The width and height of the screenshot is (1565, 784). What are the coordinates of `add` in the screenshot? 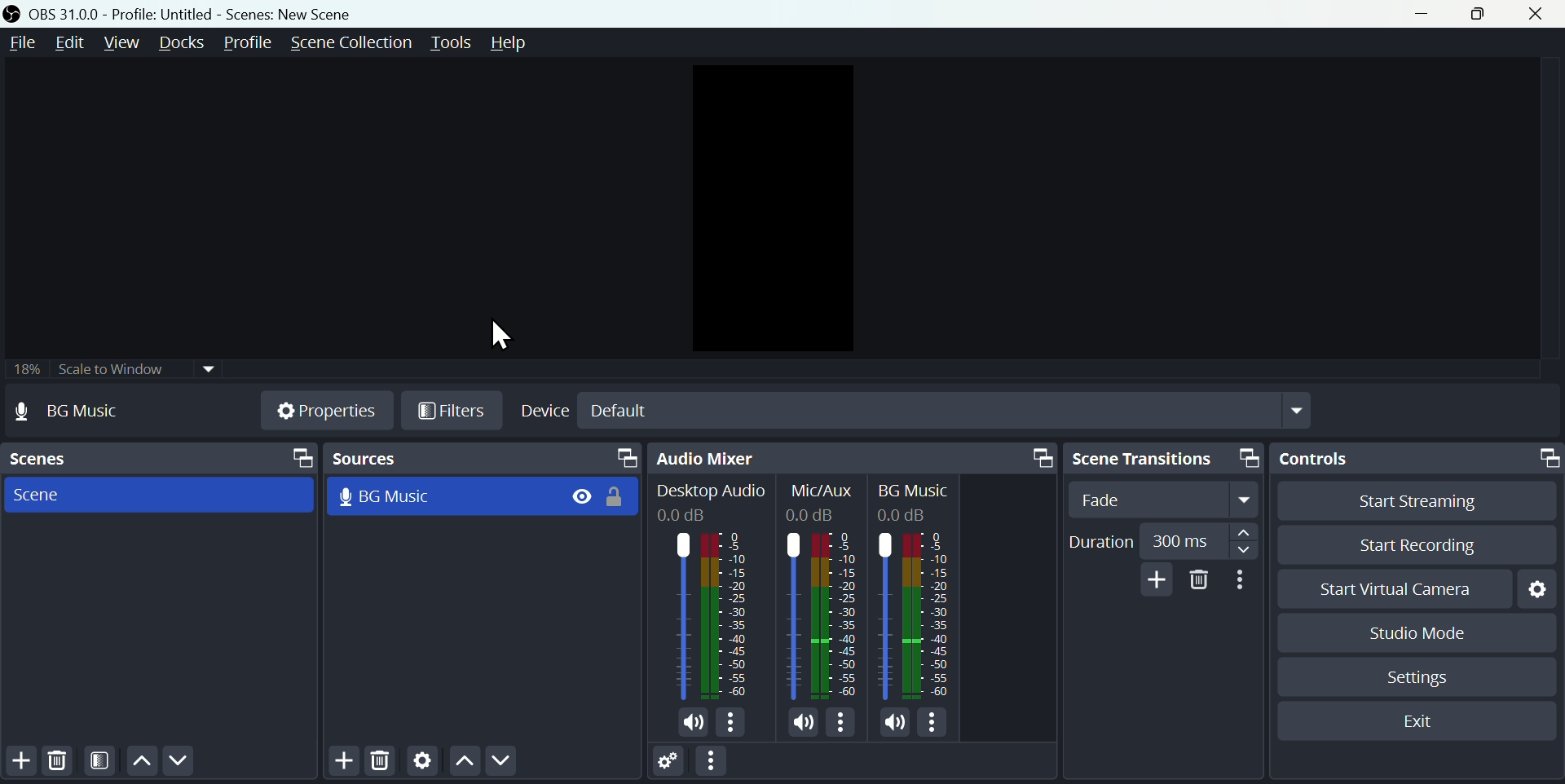 It's located at (1159, 577).